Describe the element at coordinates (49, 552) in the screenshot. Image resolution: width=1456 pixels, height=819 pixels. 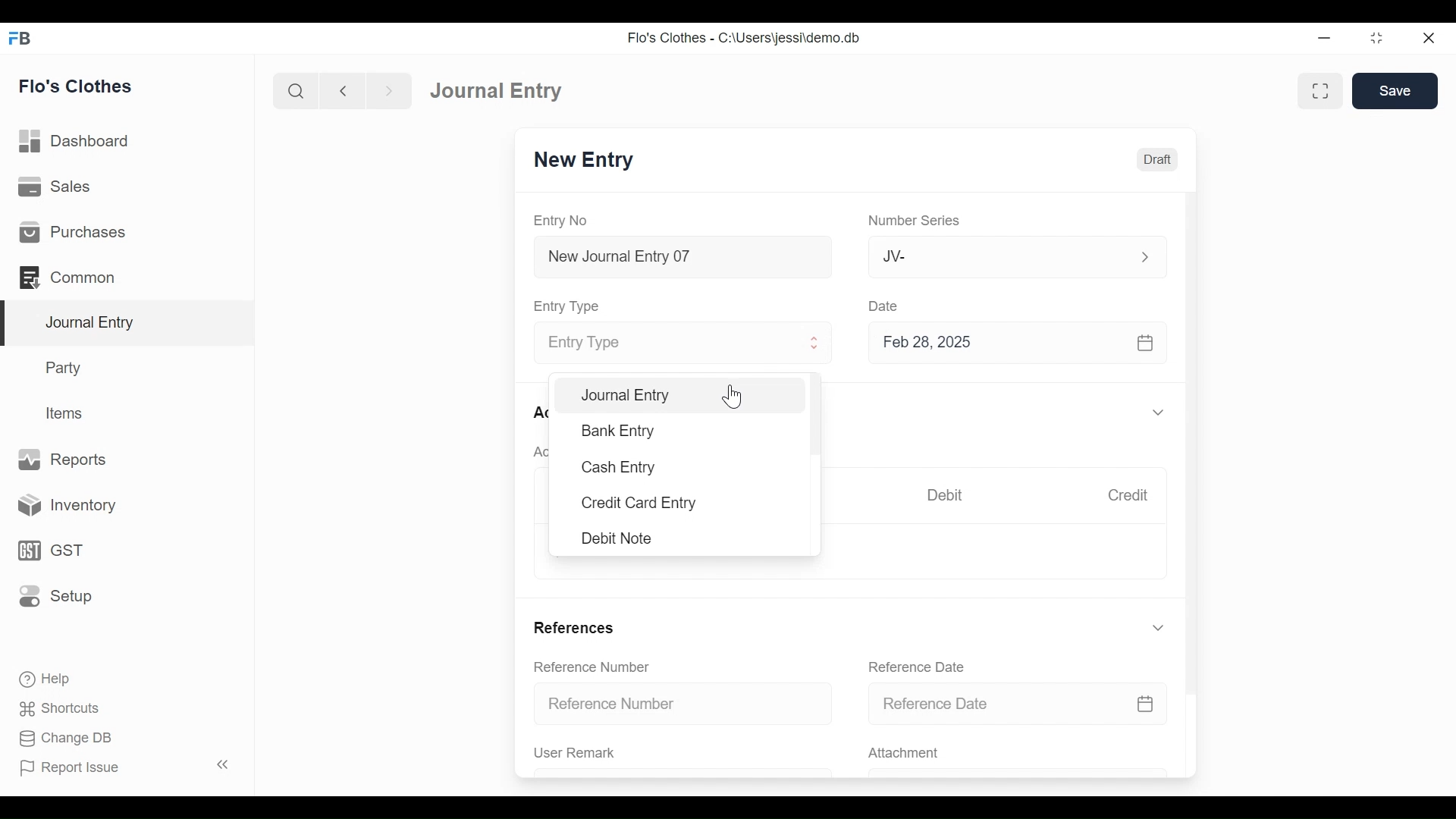
I see `GST` at that location.